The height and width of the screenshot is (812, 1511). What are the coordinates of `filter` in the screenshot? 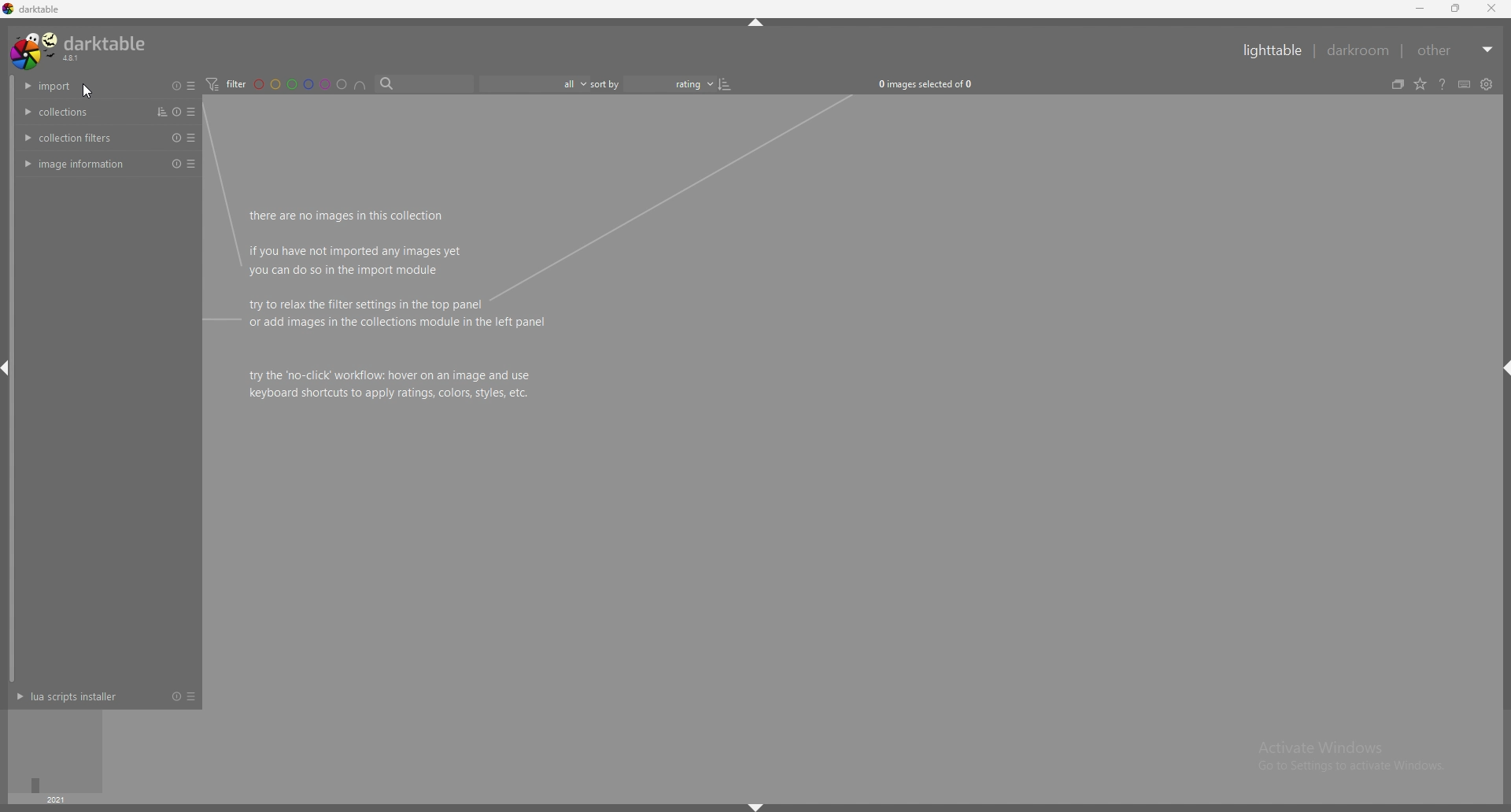 It's located at (226, 85).